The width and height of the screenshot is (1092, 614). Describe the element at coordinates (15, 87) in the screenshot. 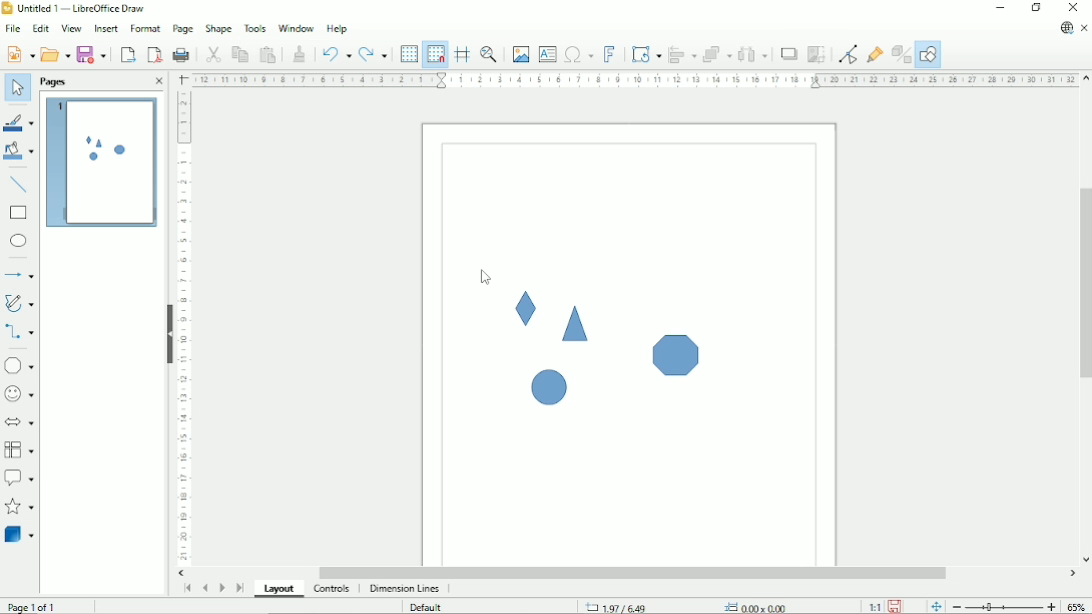

I see `Select` at that location.